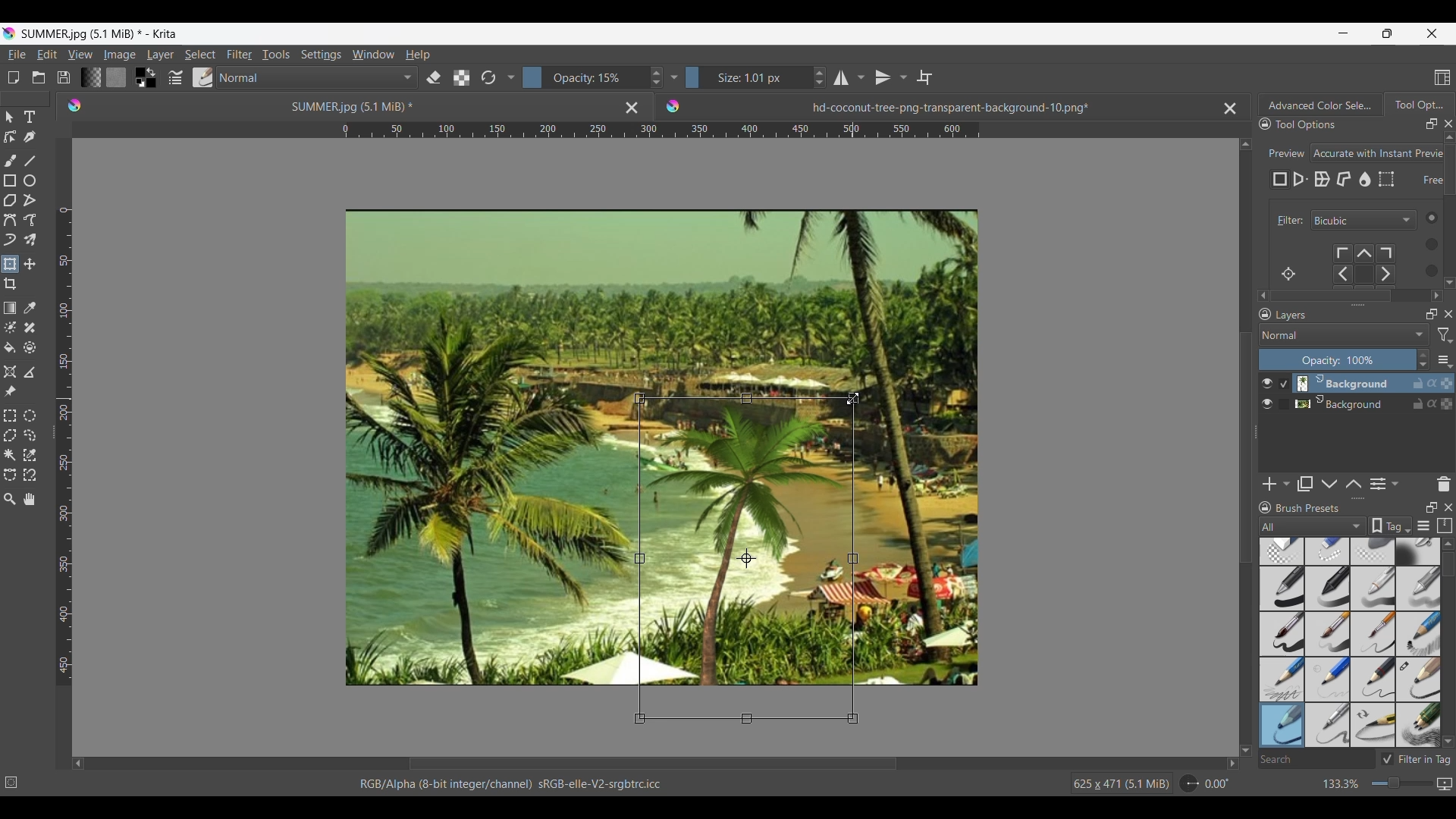 This screenshot has width=1456, height=819. What do you see at coordinates (1446, 525) in the screenshot?
I see `Storage resources` at bounding box center [1446, 525].